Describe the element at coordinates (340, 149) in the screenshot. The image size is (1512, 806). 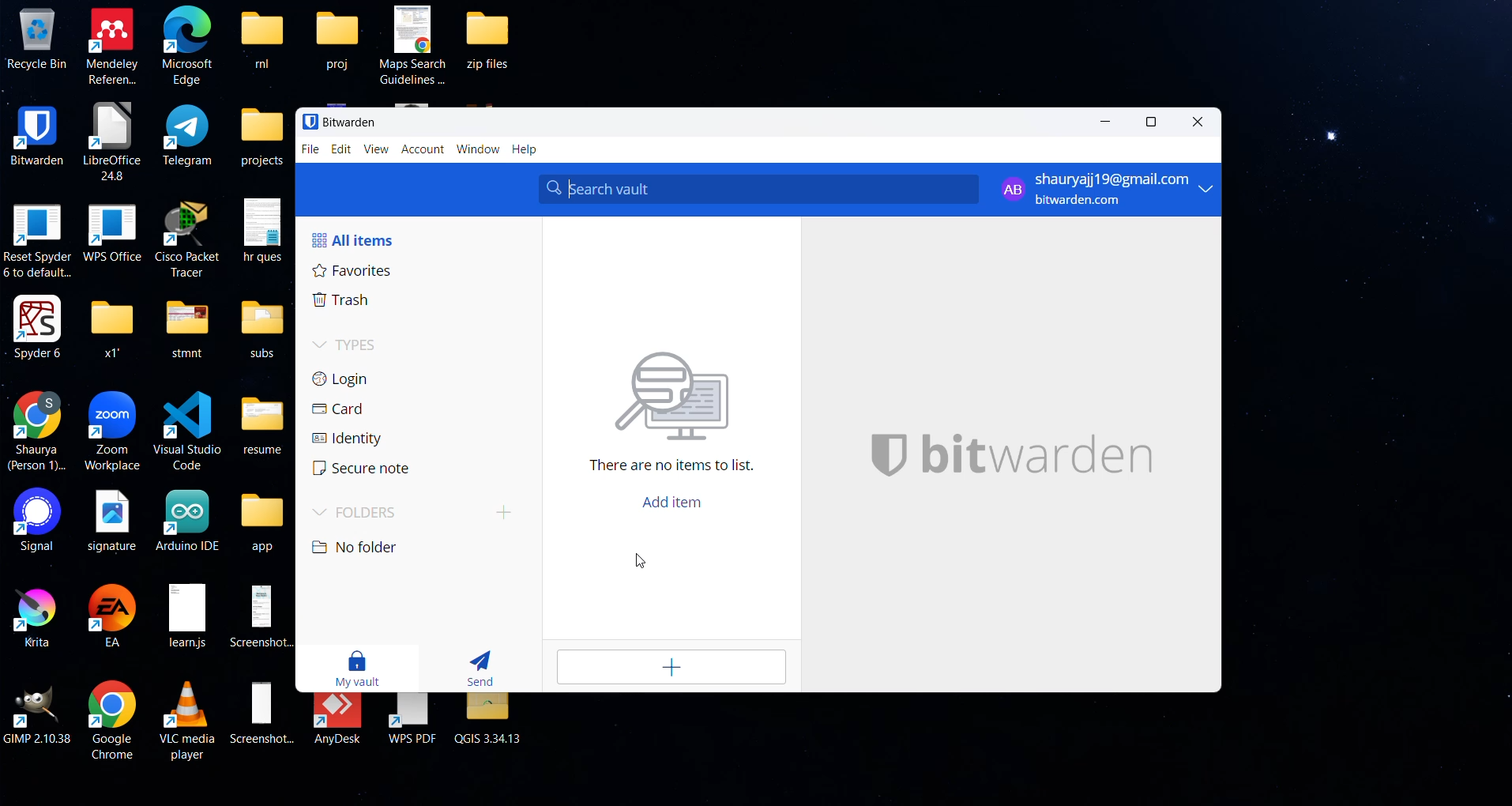
I see `edit` at that location.